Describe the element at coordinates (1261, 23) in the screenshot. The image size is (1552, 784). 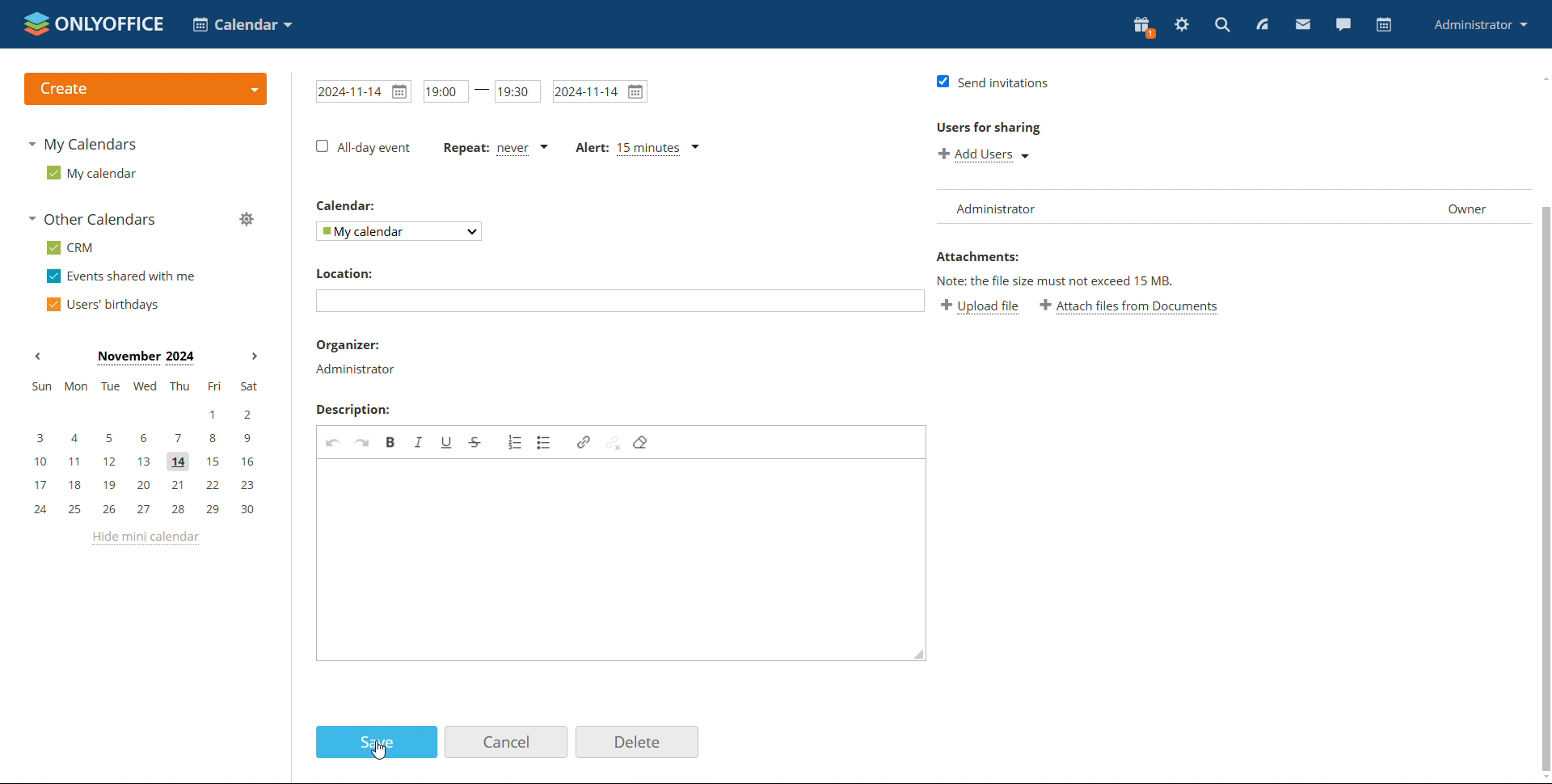
I see `feed` at that location.